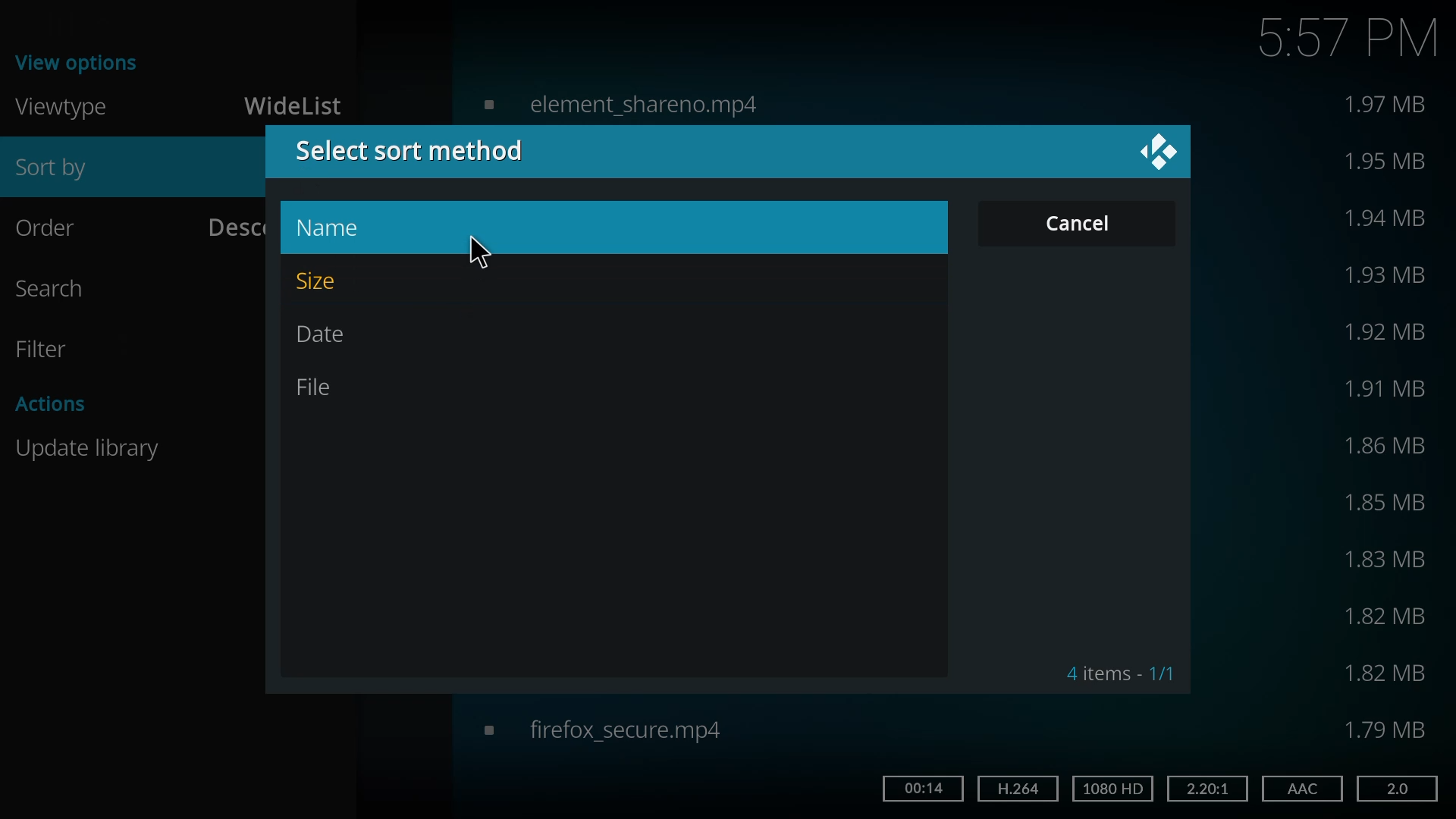 This screenshot has height=819, width=1456. I want to click on video, so click(619, 102).